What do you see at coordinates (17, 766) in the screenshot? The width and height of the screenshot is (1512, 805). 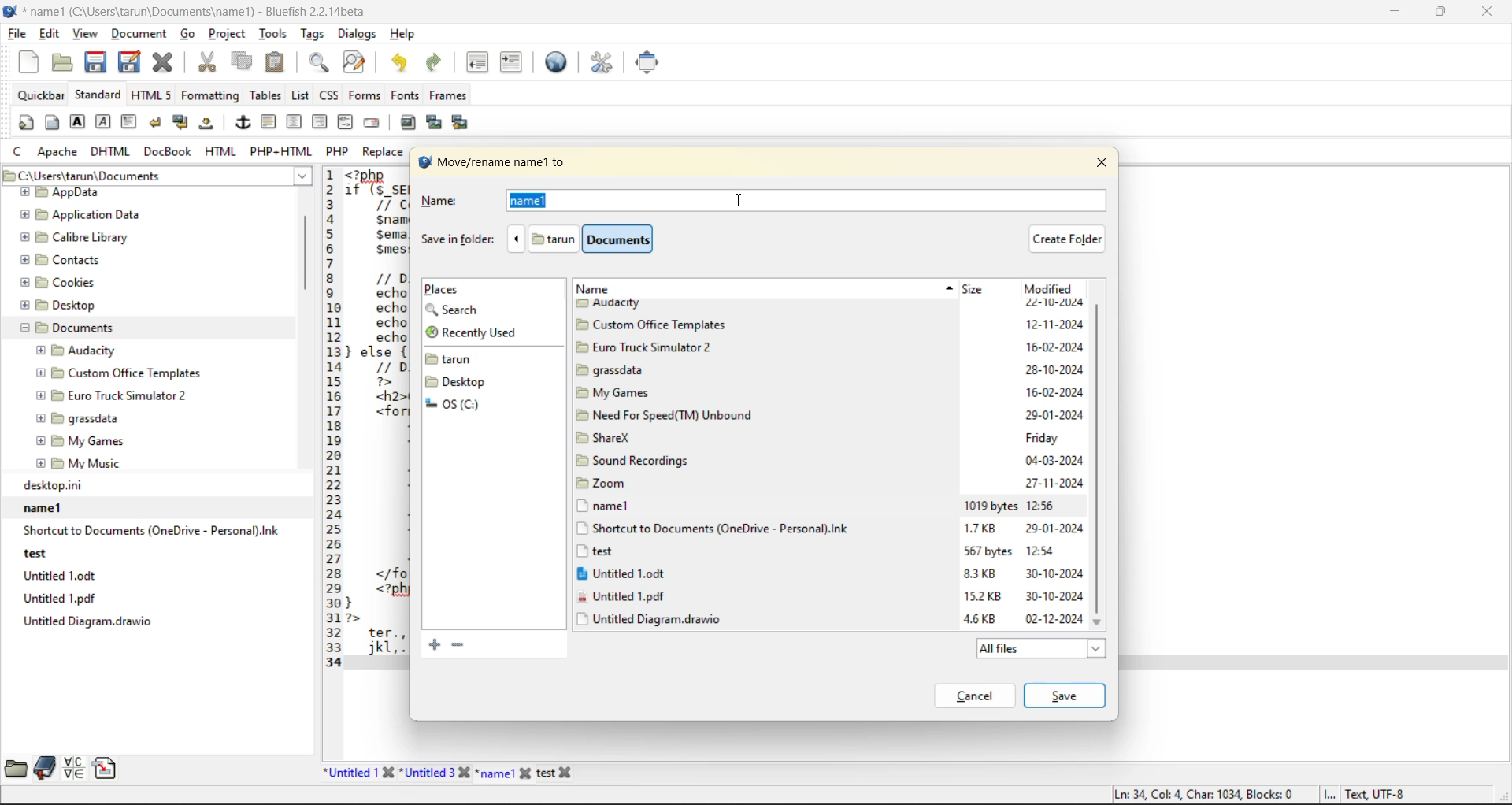 I see `file browser` at bounding box center [17, 766].